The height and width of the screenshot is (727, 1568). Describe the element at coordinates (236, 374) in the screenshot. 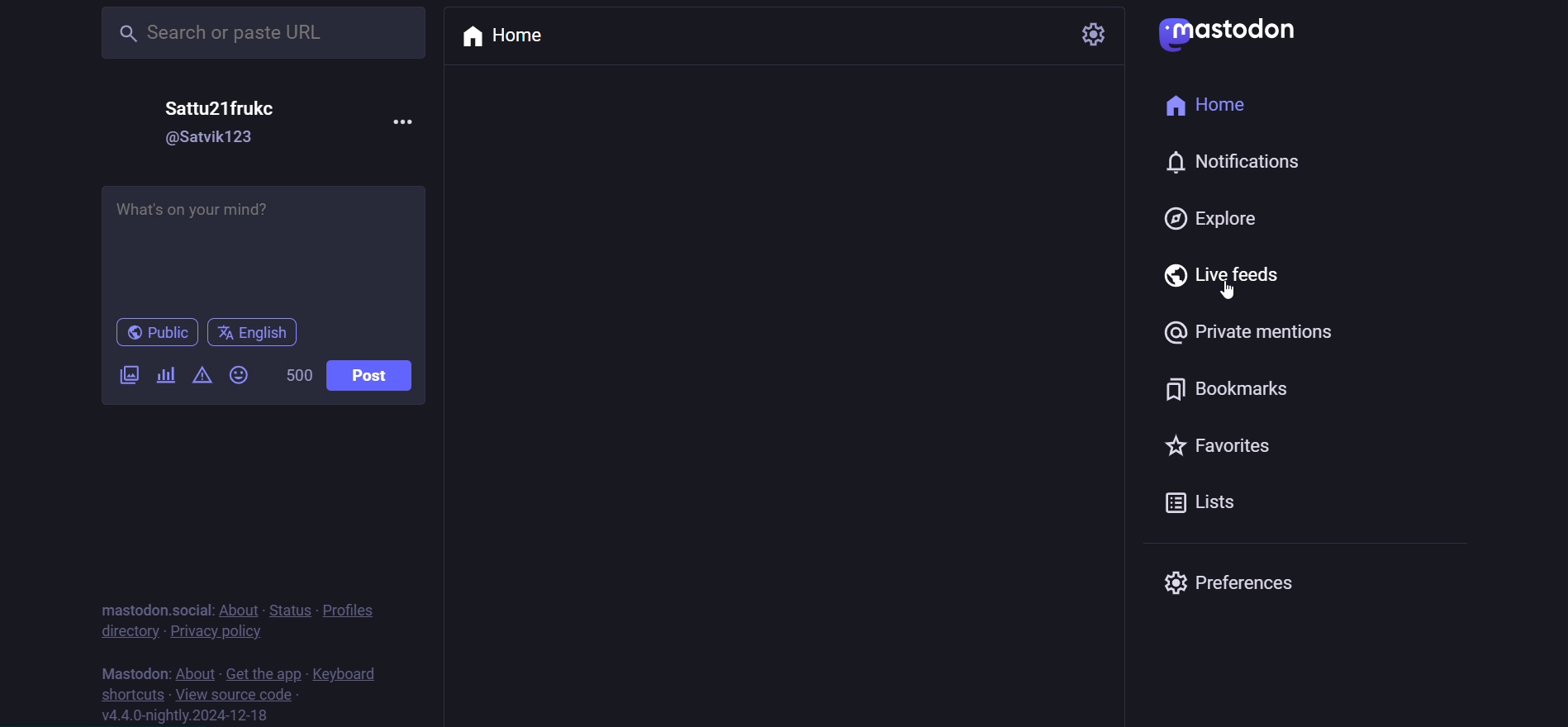

I see `emoji` at that location.